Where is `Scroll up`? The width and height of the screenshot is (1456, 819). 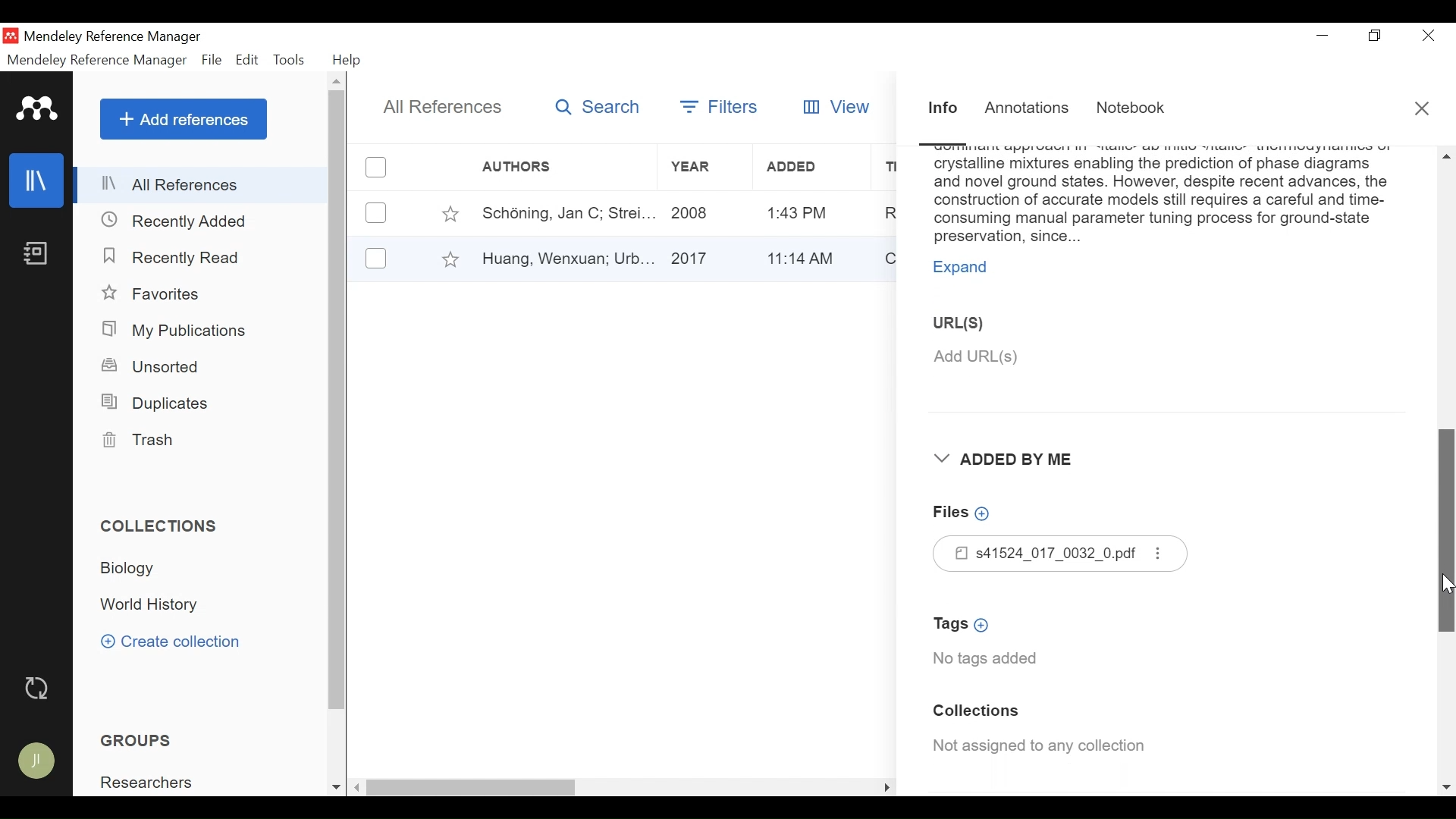
Scroll up is located at coordinates (337, 80).